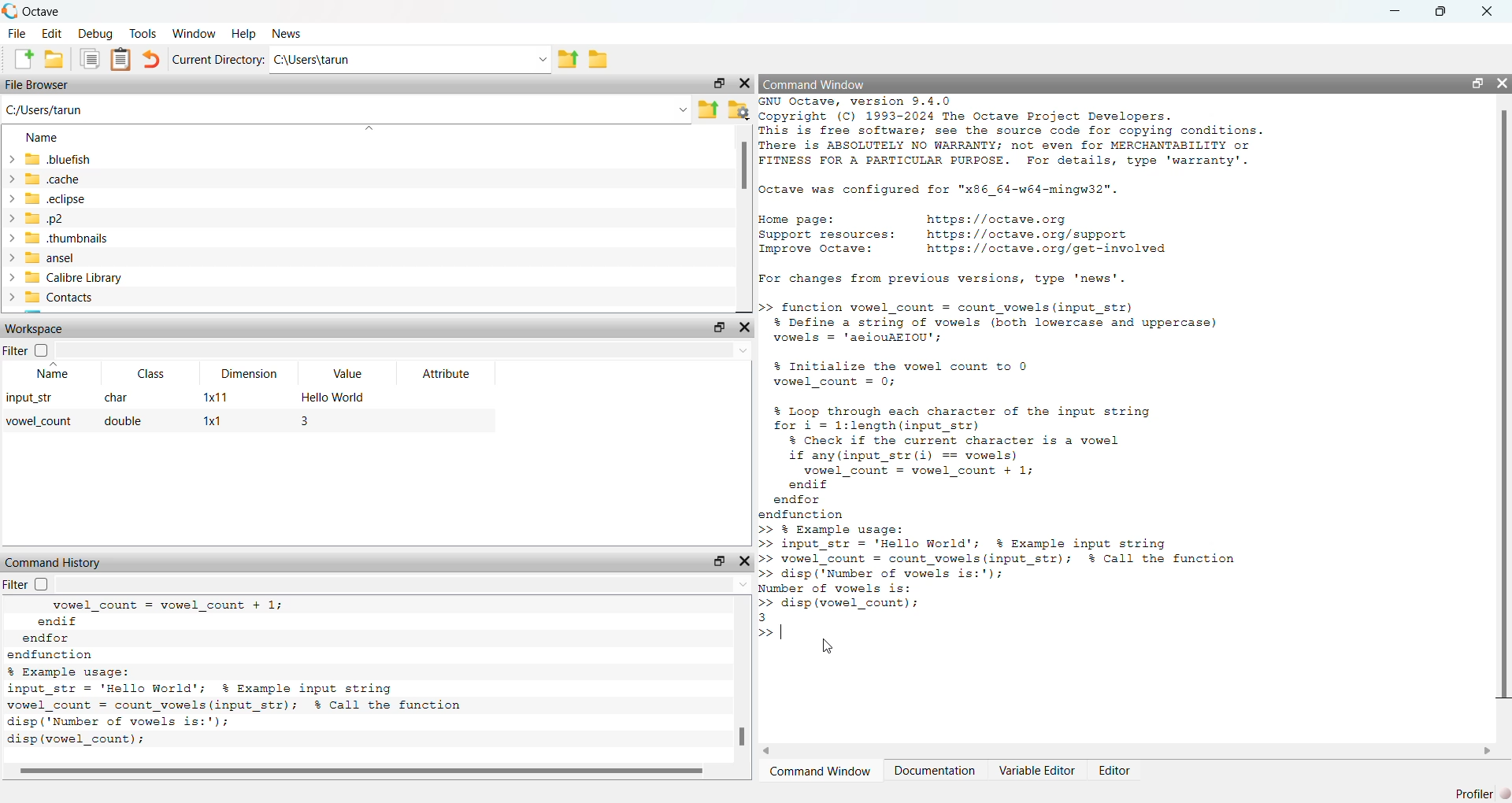  What do you see at coordinates (9, 257) in the screenshot?
I see `expand/collapse` at bounding box center [9, 257].